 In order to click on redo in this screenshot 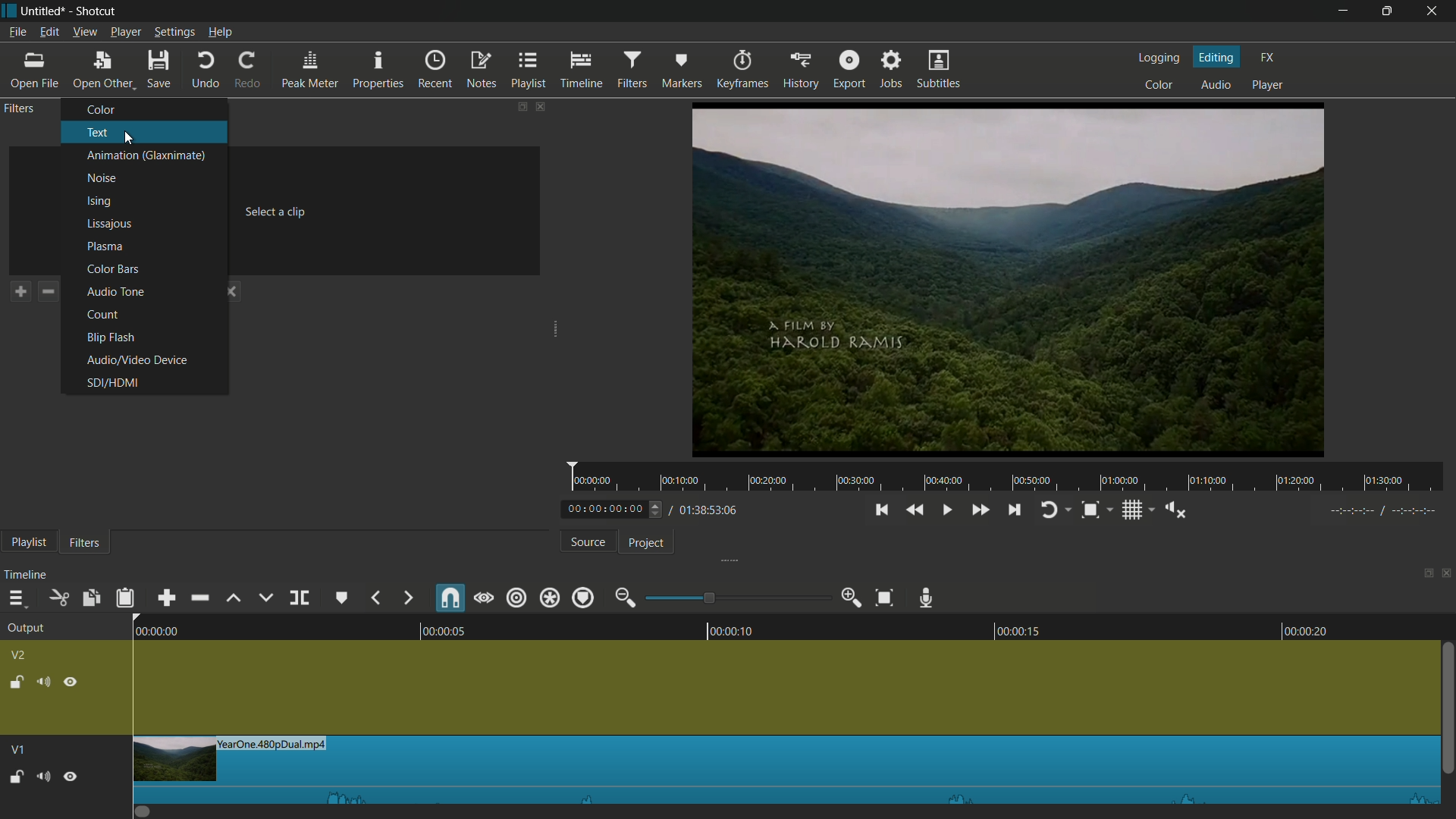, I will do `click(249, 70)`.